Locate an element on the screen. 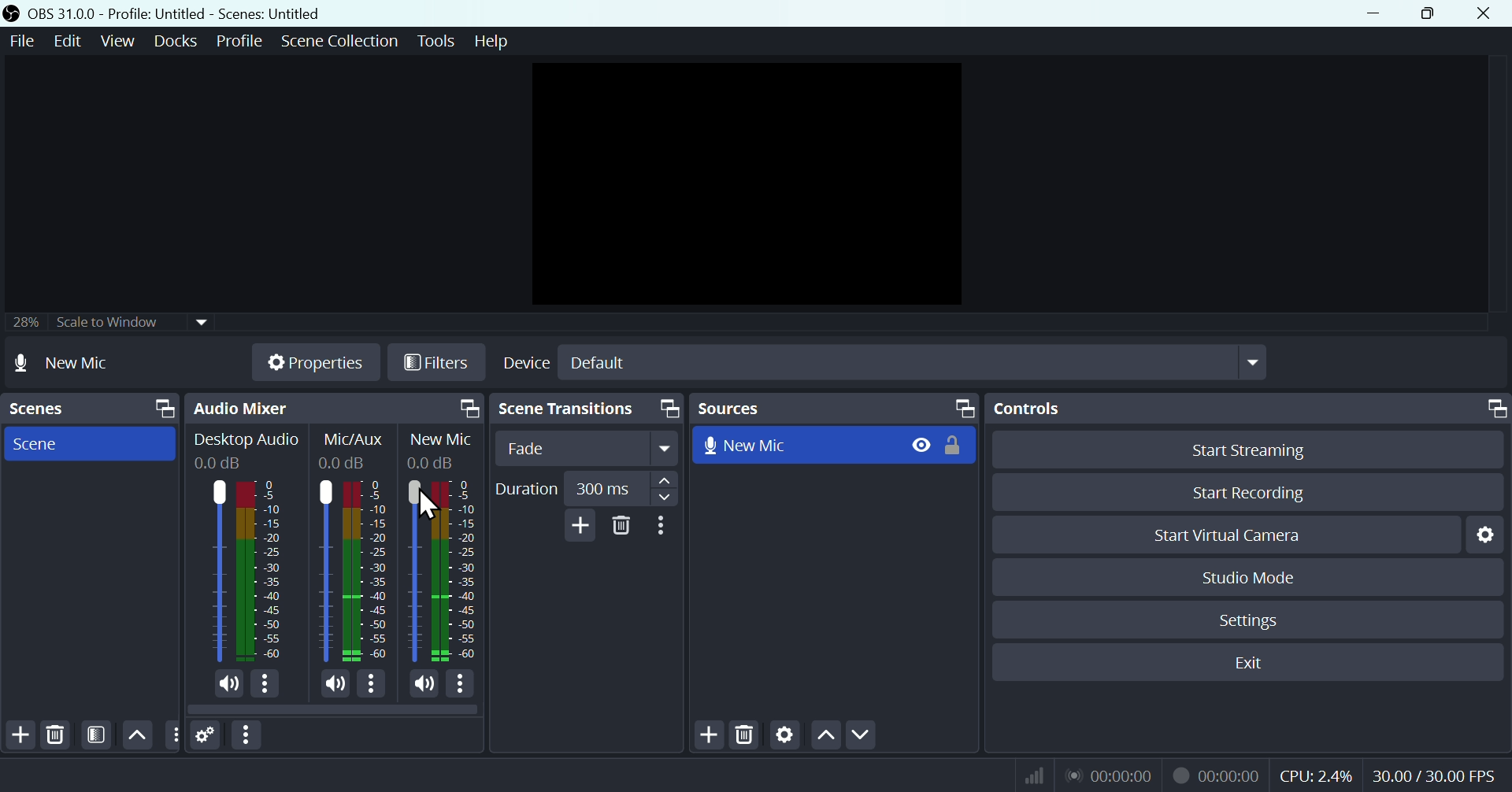 The height and width of the screenshot is (792, 1512). Settings is located at coordinates (1490, 534).